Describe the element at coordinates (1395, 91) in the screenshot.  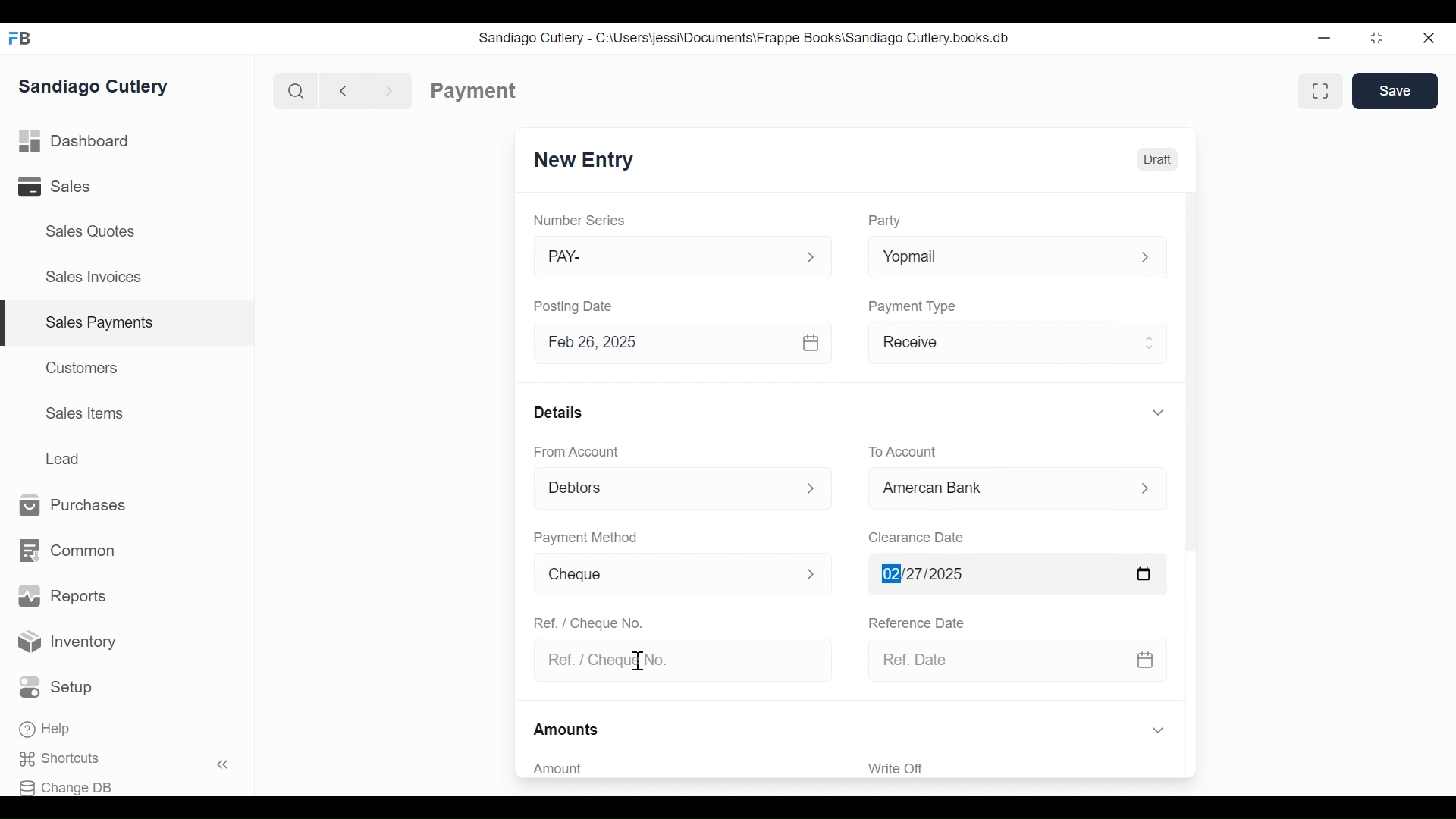
I see `Save` at that location.